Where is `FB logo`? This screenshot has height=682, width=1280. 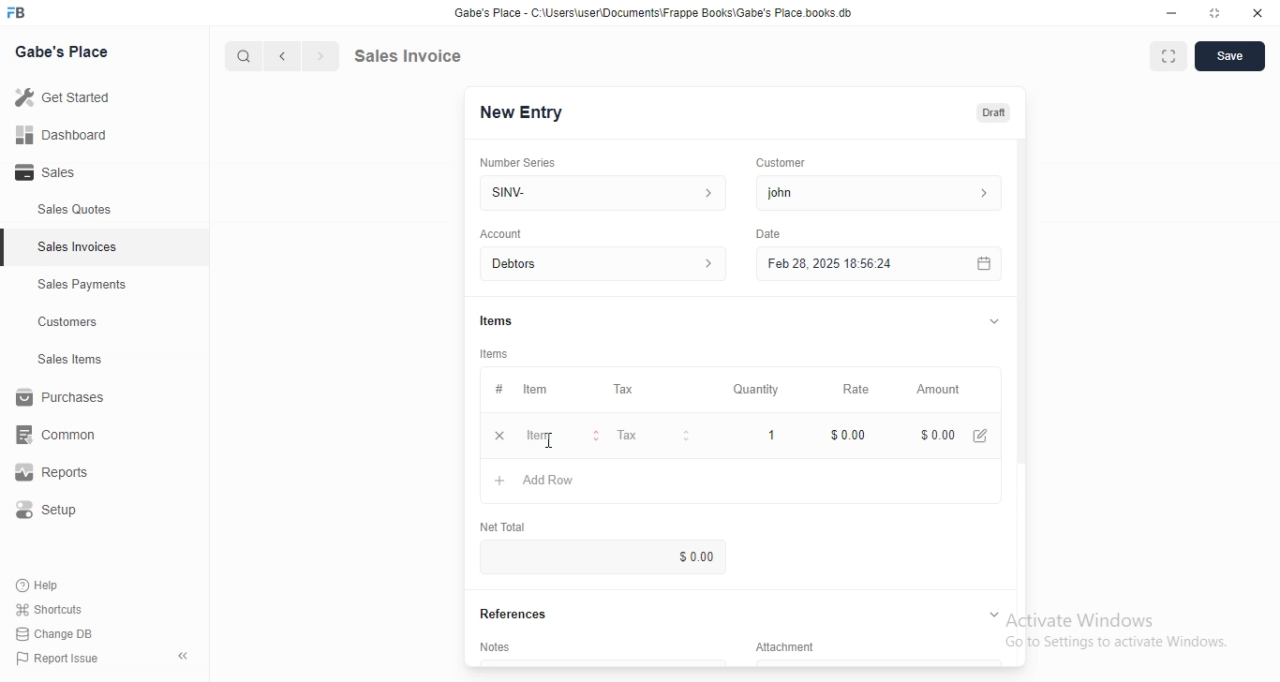 FB logo is located at coordinates (20, 13).